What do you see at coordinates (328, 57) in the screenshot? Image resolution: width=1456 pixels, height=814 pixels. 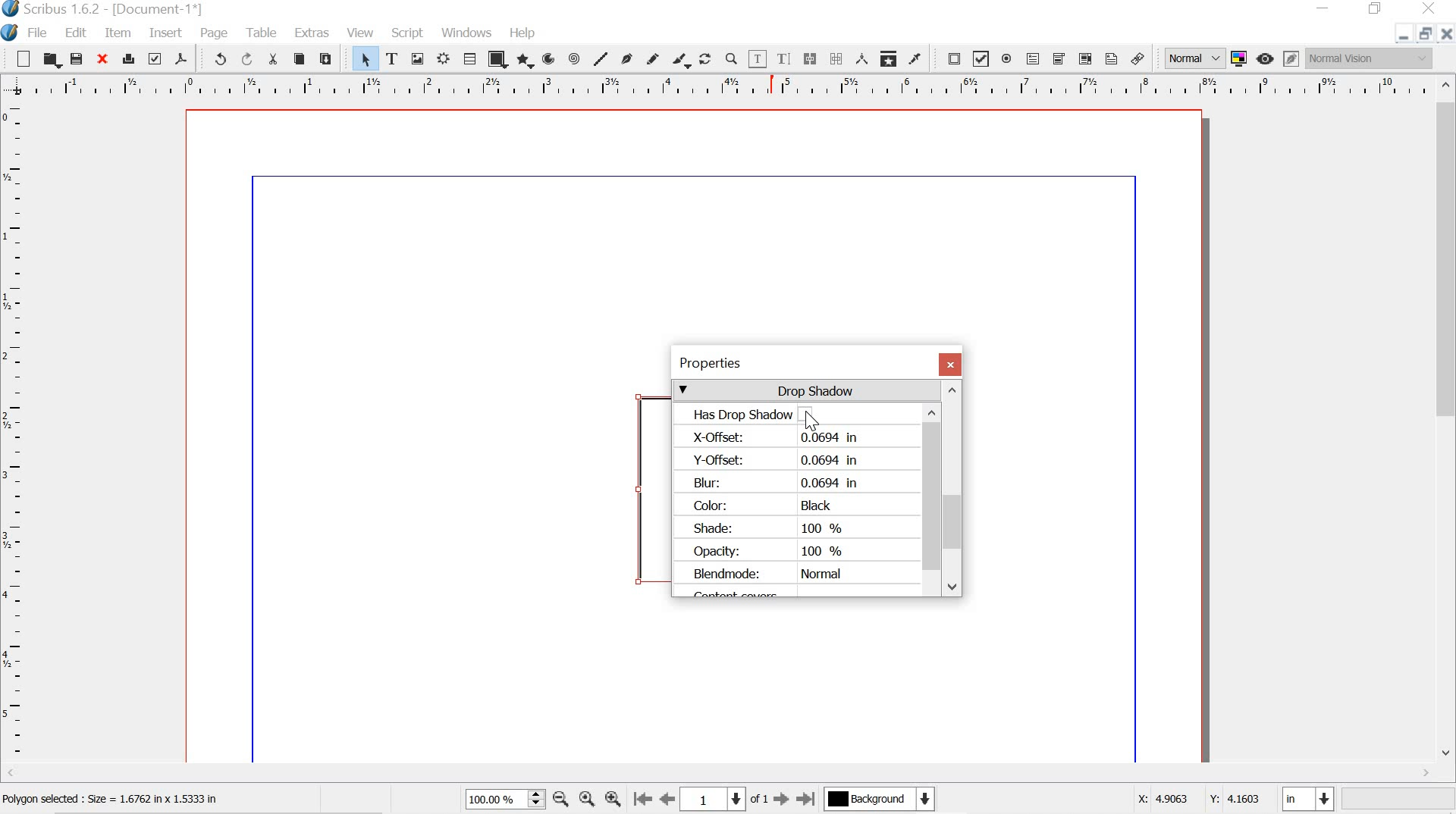 I see `paste` at bounding box center [328, 57].